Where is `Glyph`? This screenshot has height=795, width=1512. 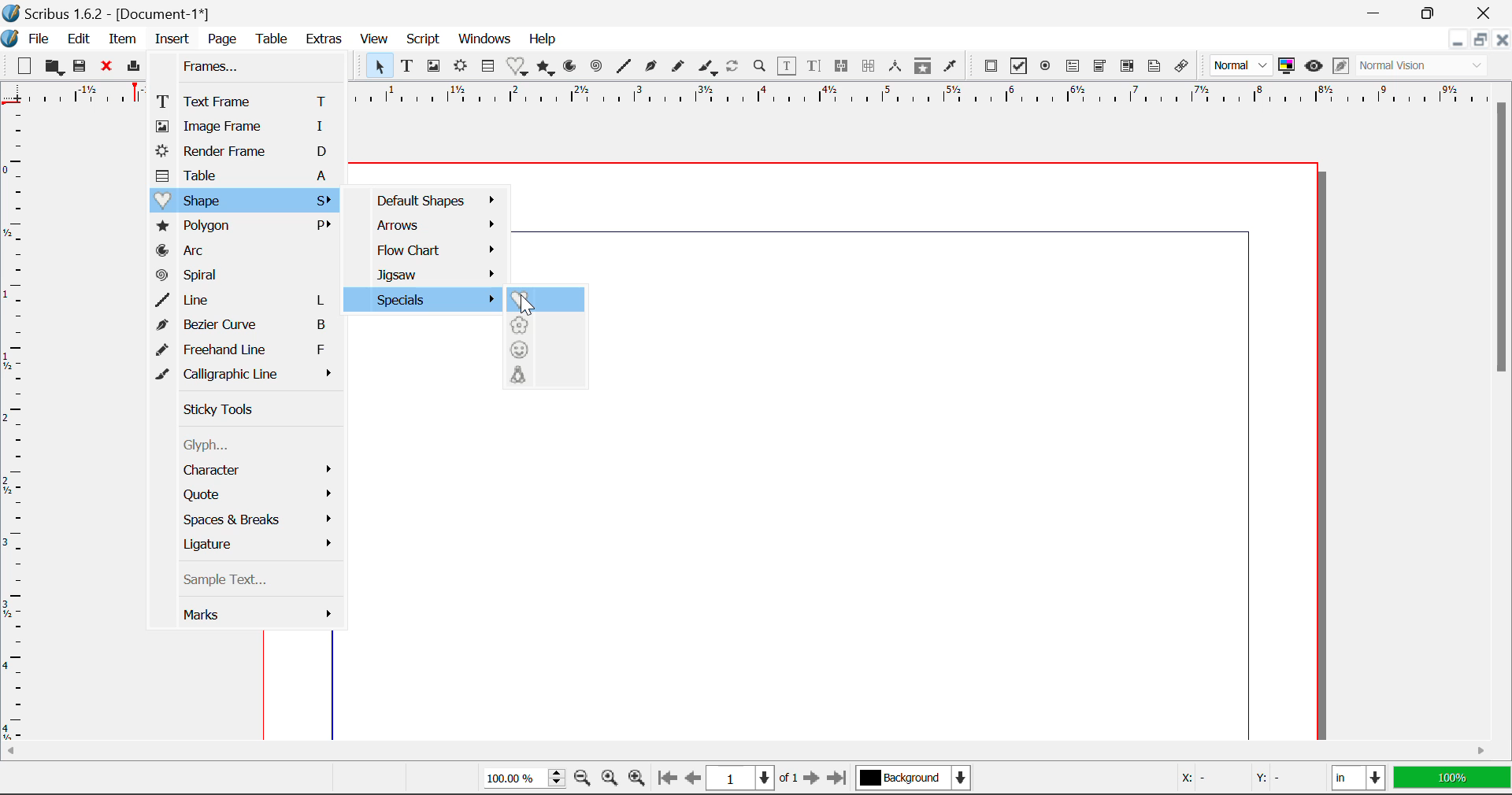 Glyph is located at coordinates (243, 447).